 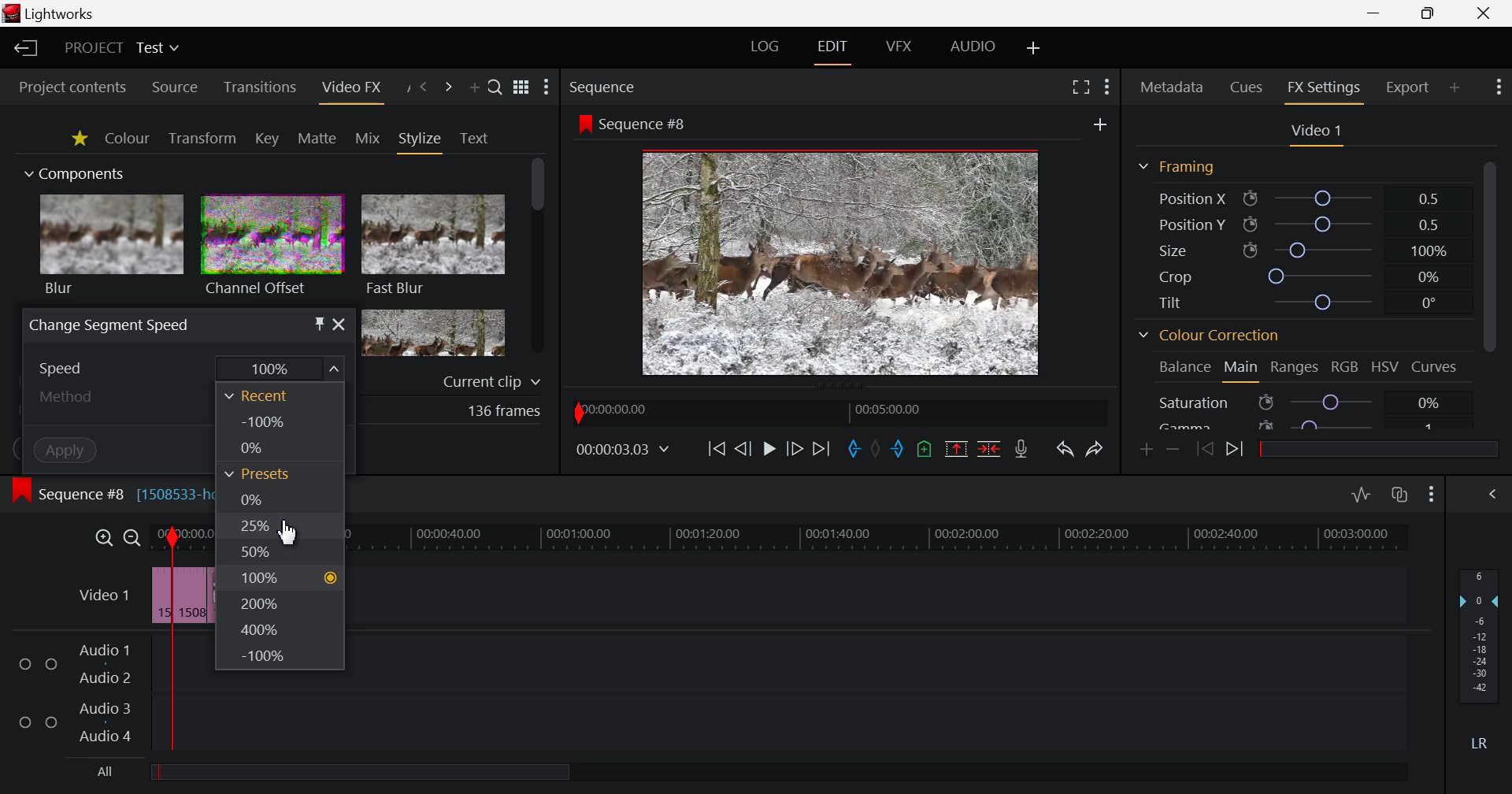 What do you see at coordinates (795, 449) in the screenshot?
I see `Go Forward` at bounding box center [795, 449].